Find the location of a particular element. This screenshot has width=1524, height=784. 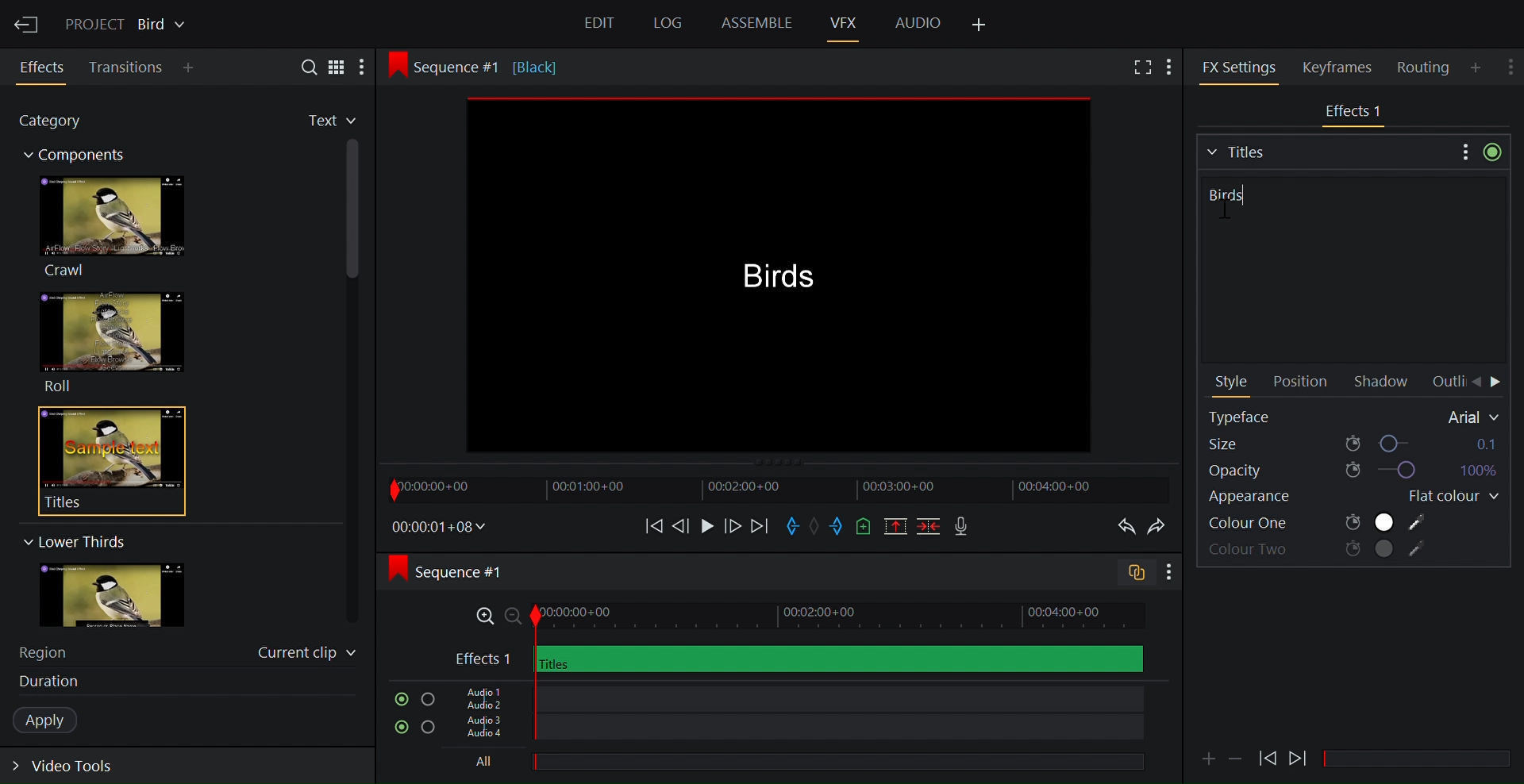

Show settings menu is located at coordinates (1463, 151).